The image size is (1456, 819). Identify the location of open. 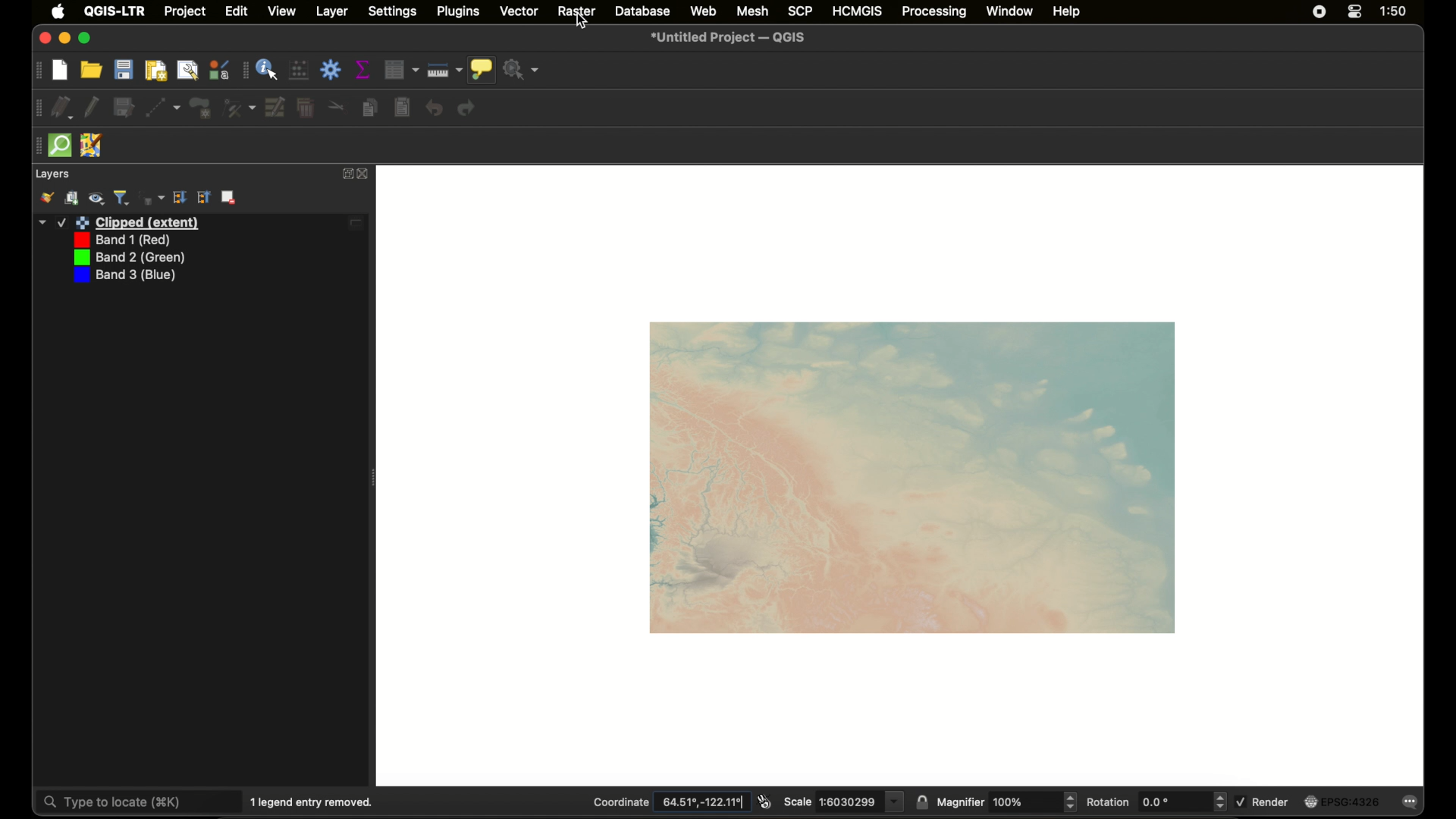
(91, 69).